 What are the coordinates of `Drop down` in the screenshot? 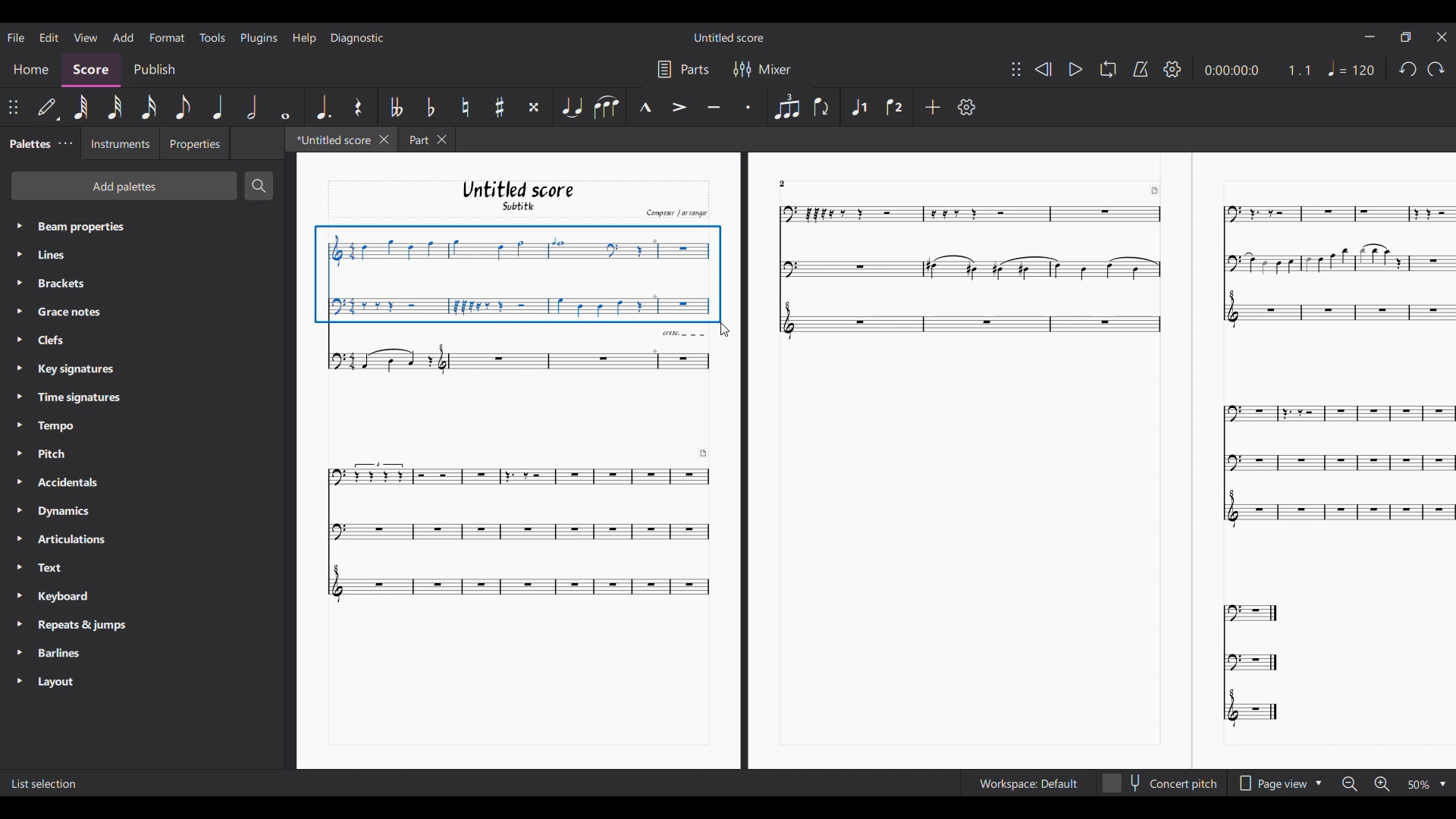 It's located at (1442, 785).